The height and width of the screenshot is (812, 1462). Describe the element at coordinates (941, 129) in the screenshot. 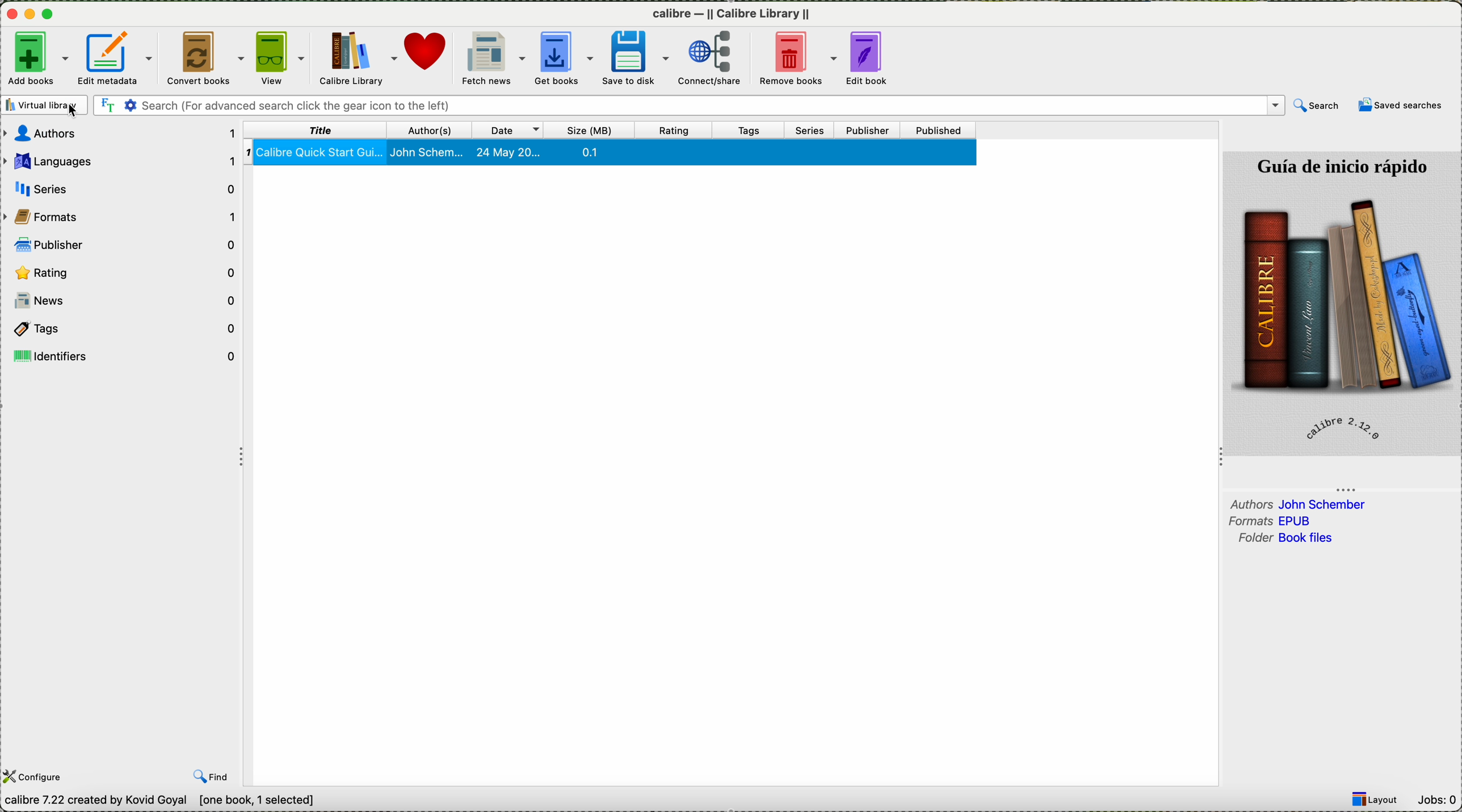

I see `published` at that location.